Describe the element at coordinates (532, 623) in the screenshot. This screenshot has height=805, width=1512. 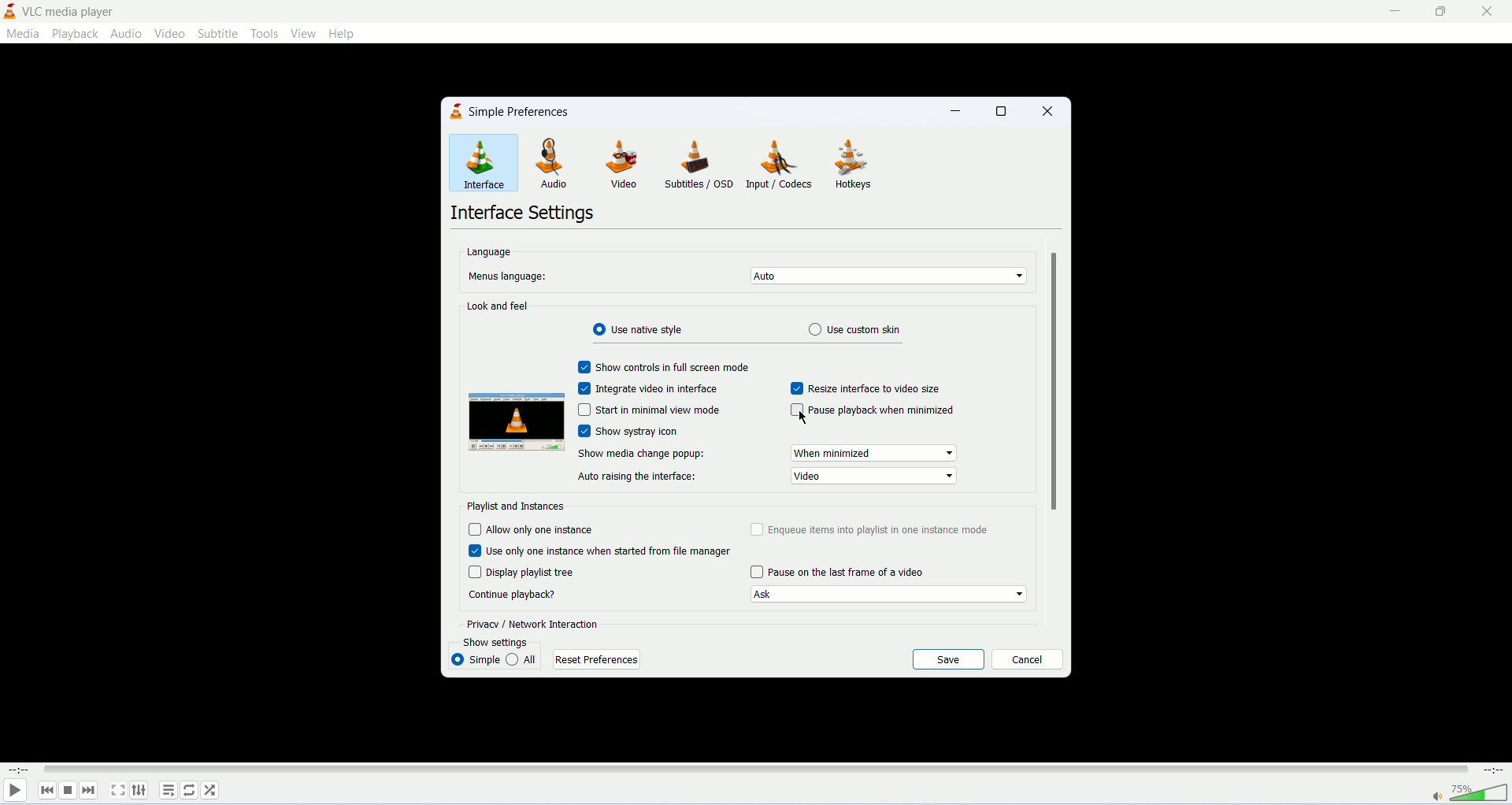
I see `privacy/network interaction` at that location.